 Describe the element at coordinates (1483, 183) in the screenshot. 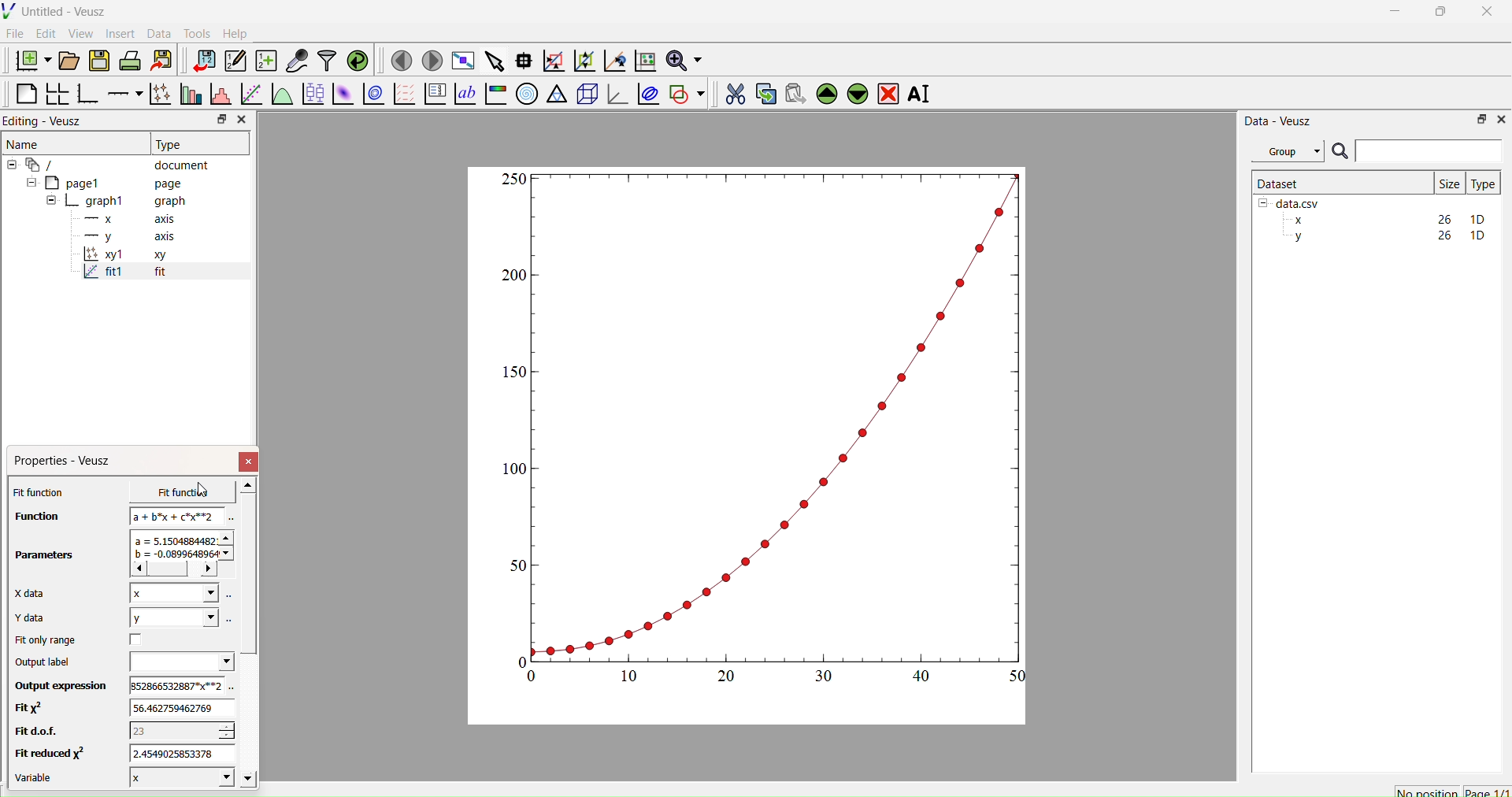

I see `Type` at that location.